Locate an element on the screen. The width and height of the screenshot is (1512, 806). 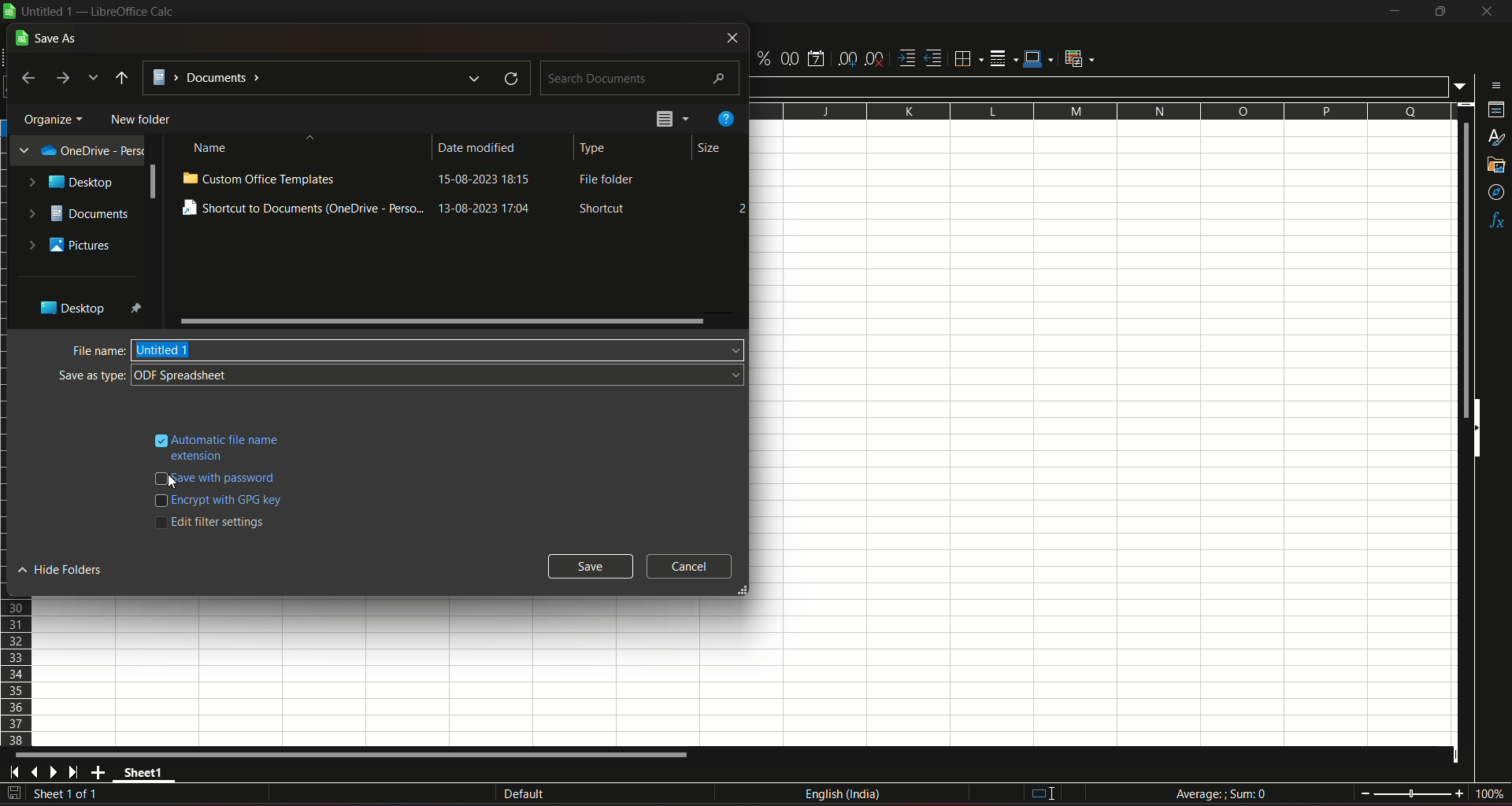
format as date is located at coordinates (818, 57).